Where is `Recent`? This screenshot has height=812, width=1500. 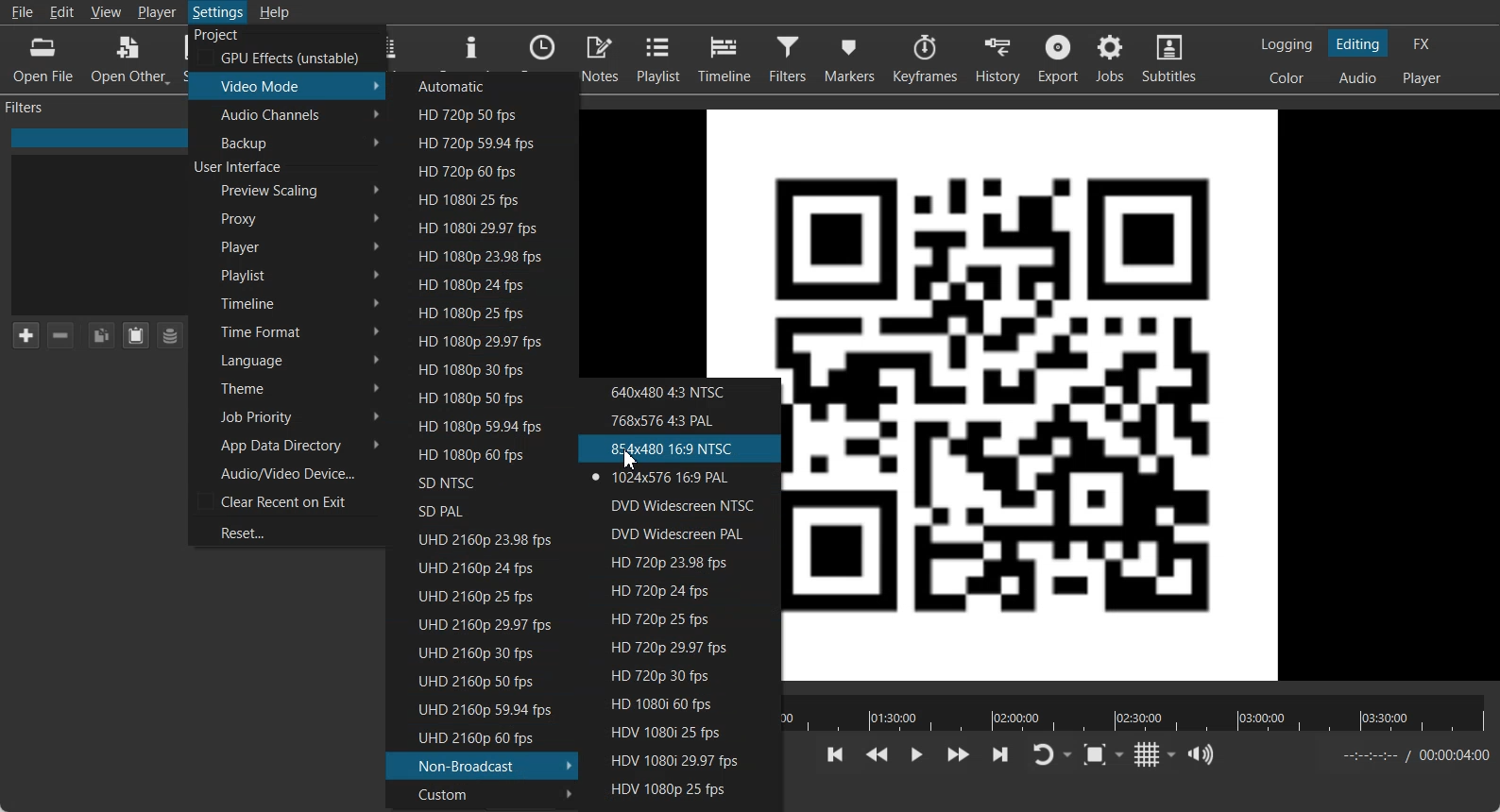 Recent is located at coordinates (542, 48).